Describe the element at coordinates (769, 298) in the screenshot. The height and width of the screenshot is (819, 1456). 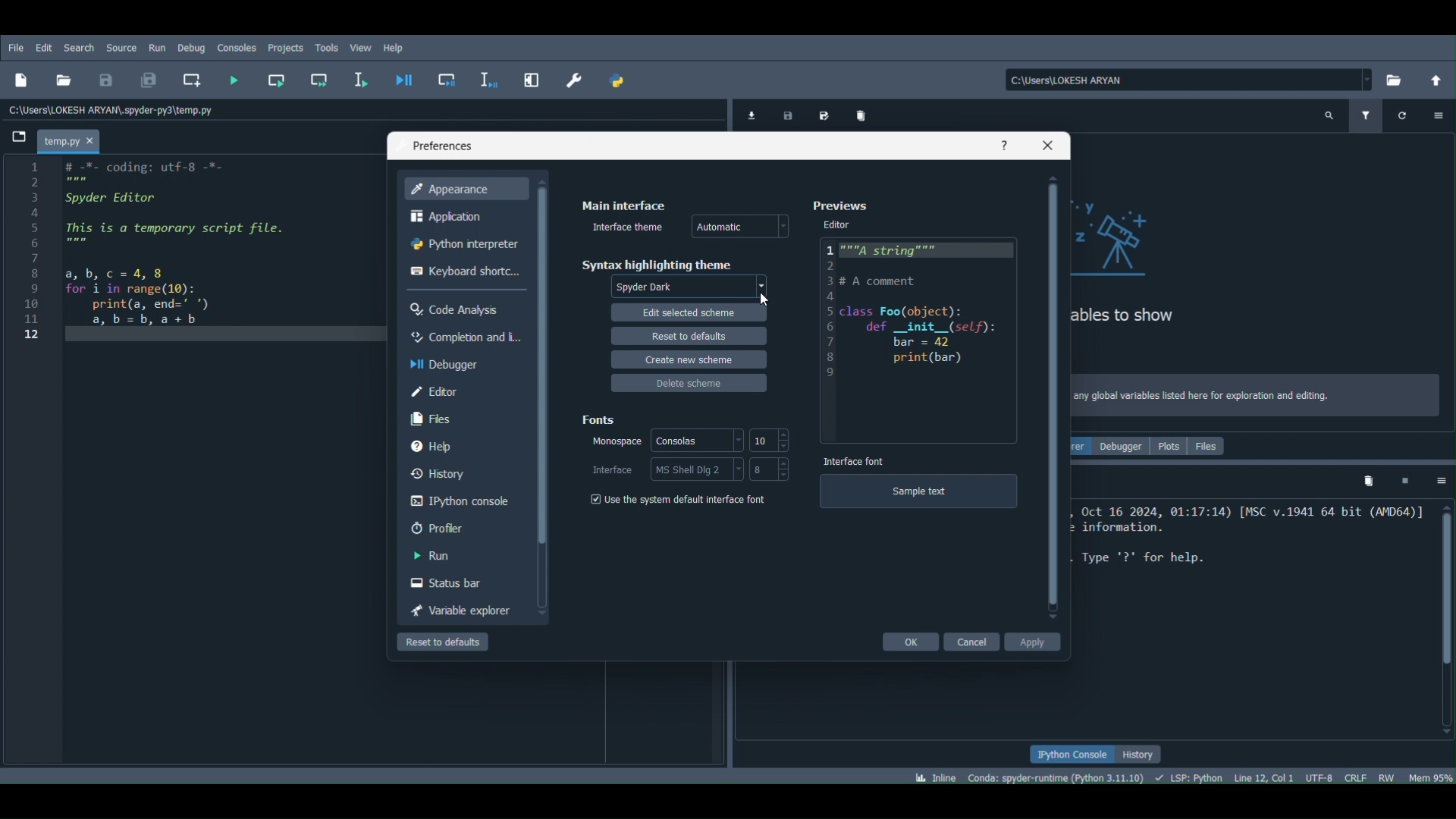
I see `Cursor` at that location.